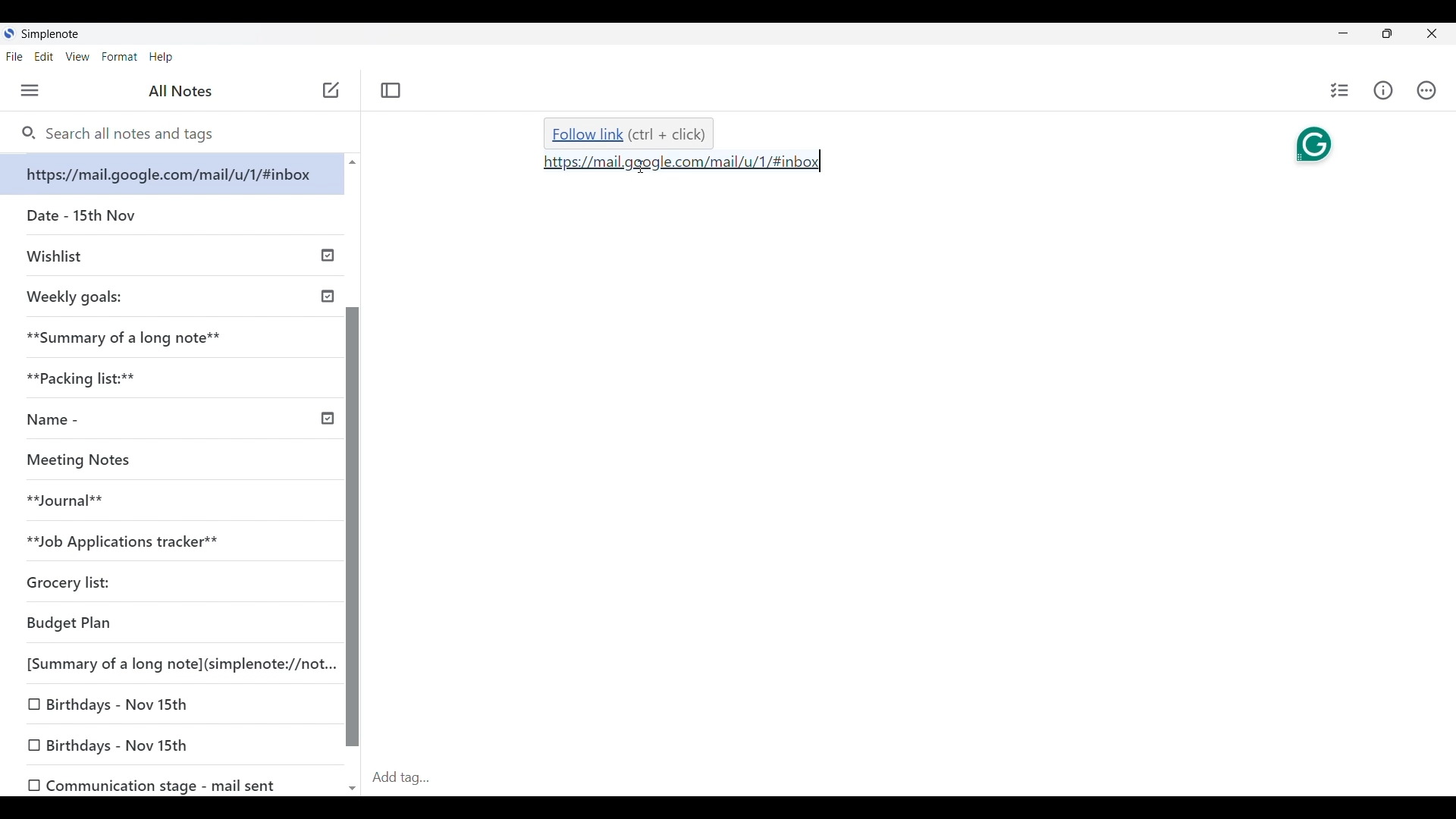 This screenshot has width=1456, height=819. What do you see at coordinates (146, 782) in the screenshot?
I see `O Communication stage - mail` at bounding box center [146, 782].